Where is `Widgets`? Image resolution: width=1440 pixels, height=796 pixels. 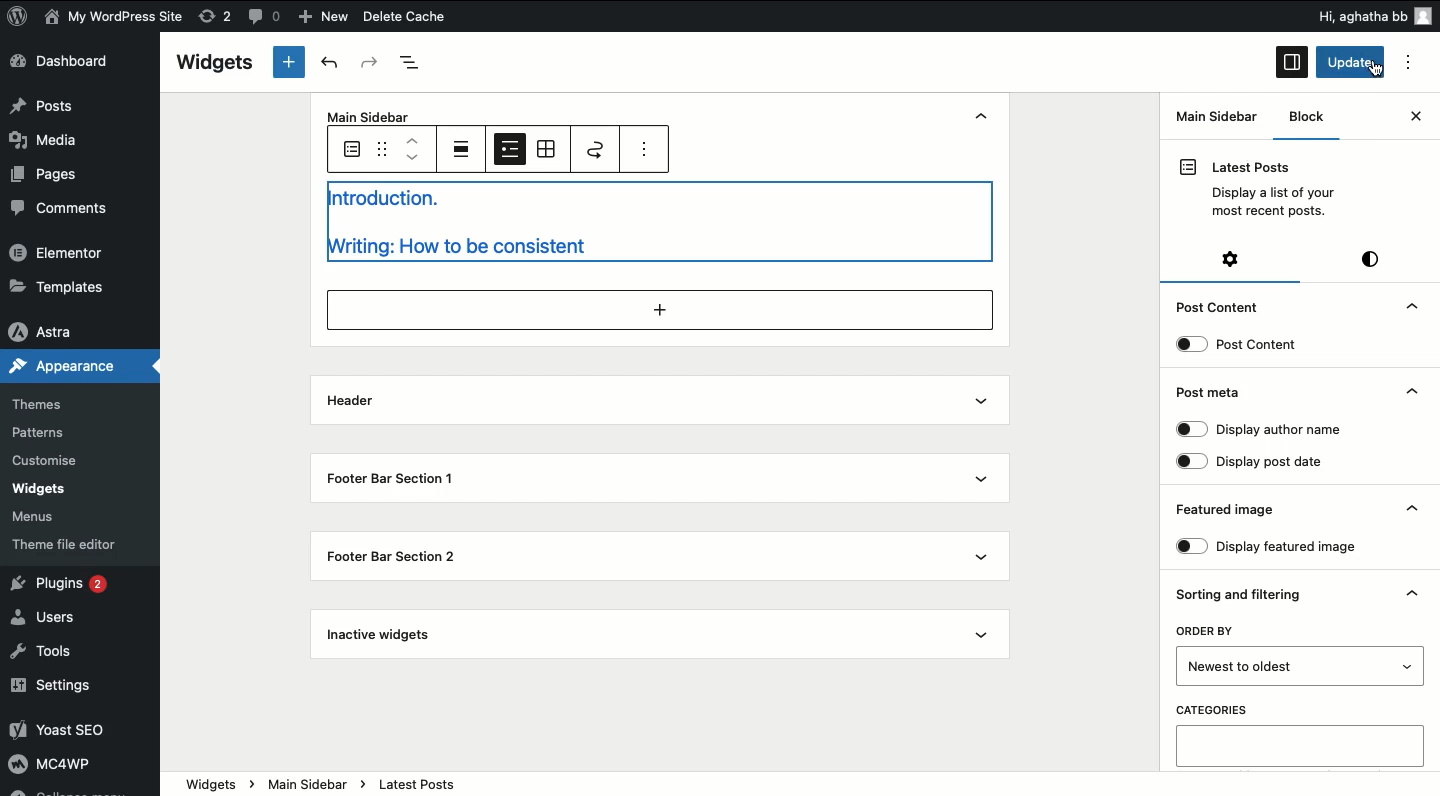
Widgets is located at coordinates (219, 64).